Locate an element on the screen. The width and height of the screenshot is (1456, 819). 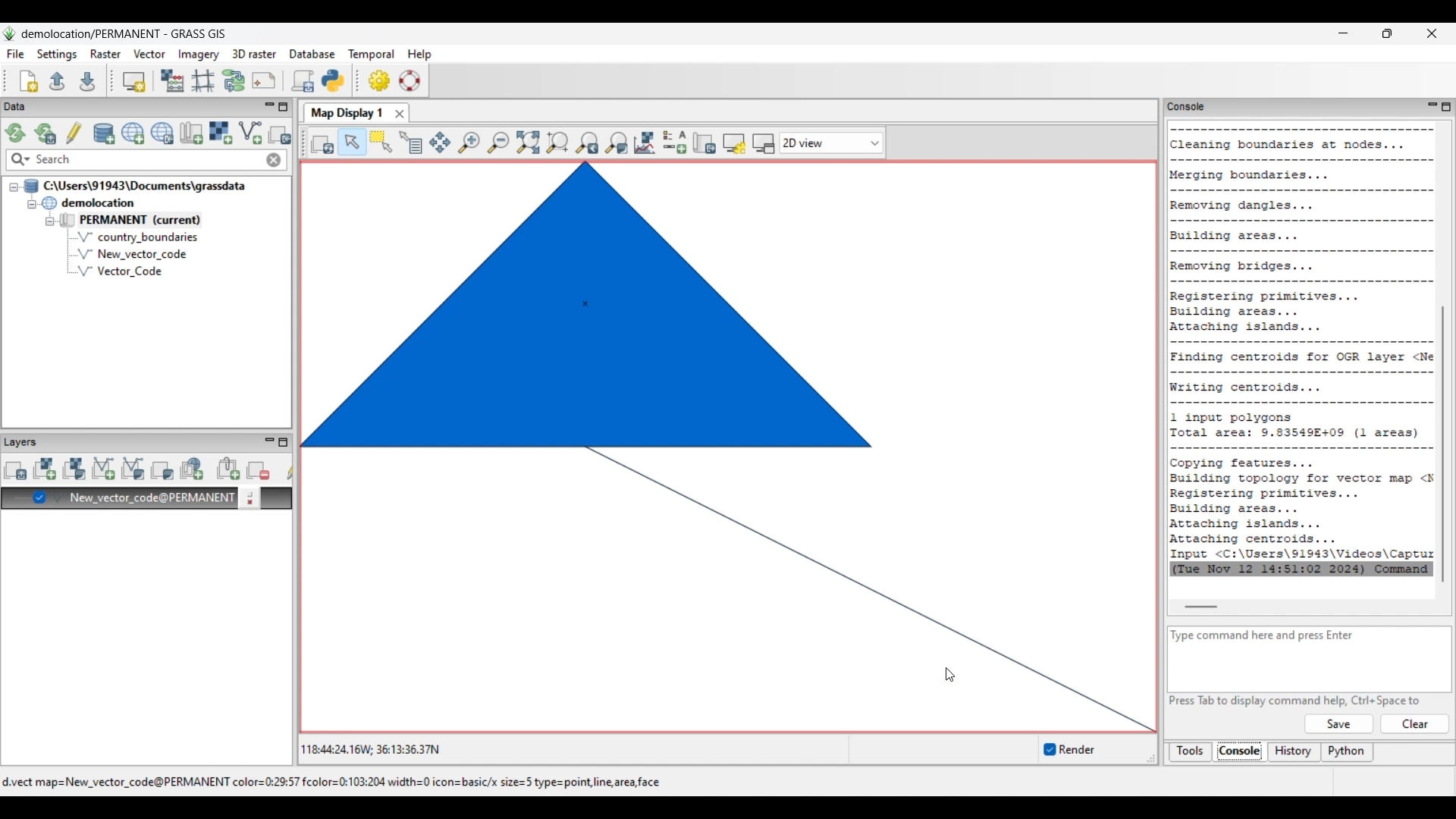
Vector code is located at coordinates (137, 273).